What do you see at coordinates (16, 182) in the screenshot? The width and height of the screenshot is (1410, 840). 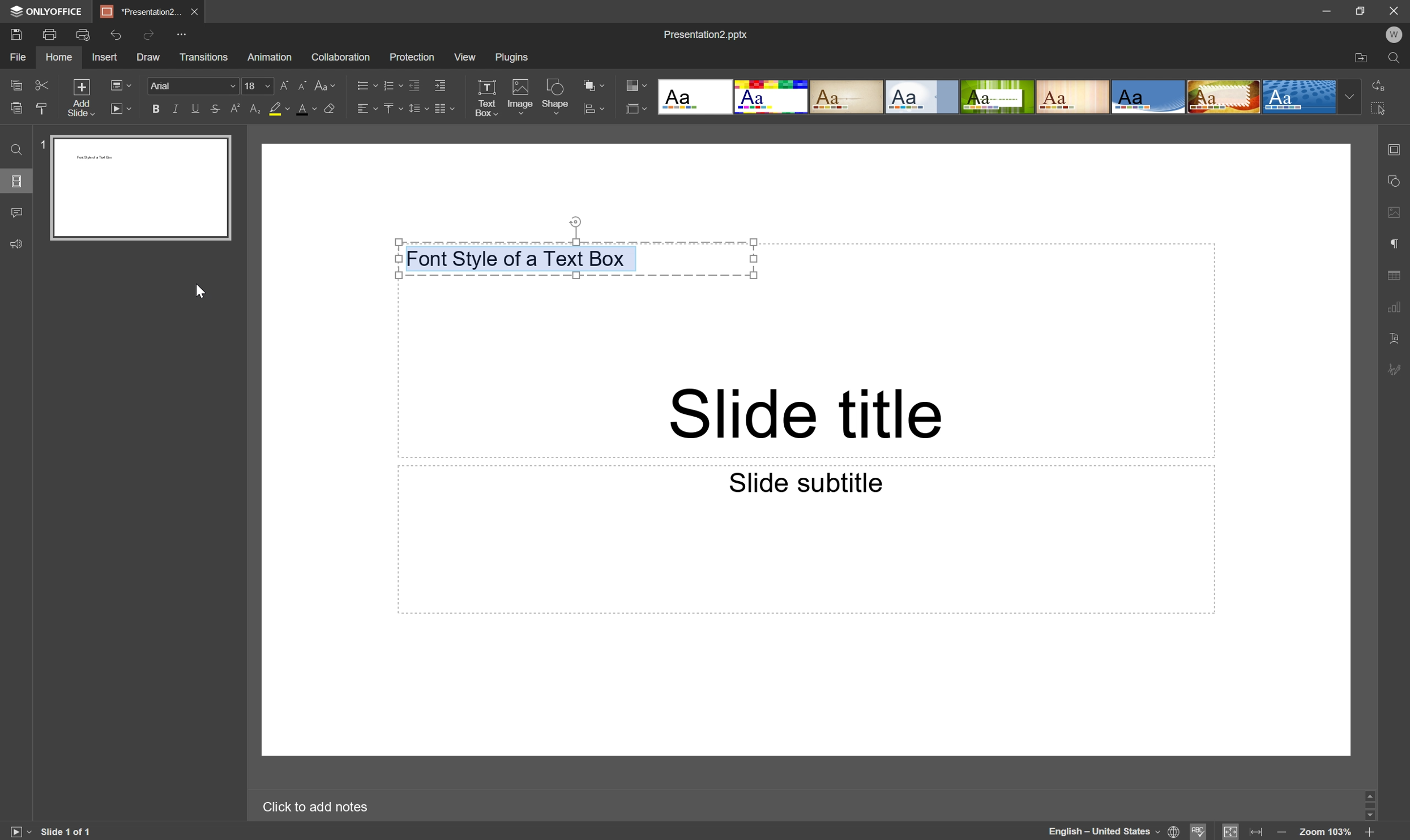 I see `Slides` at bounding box center [16, 182].